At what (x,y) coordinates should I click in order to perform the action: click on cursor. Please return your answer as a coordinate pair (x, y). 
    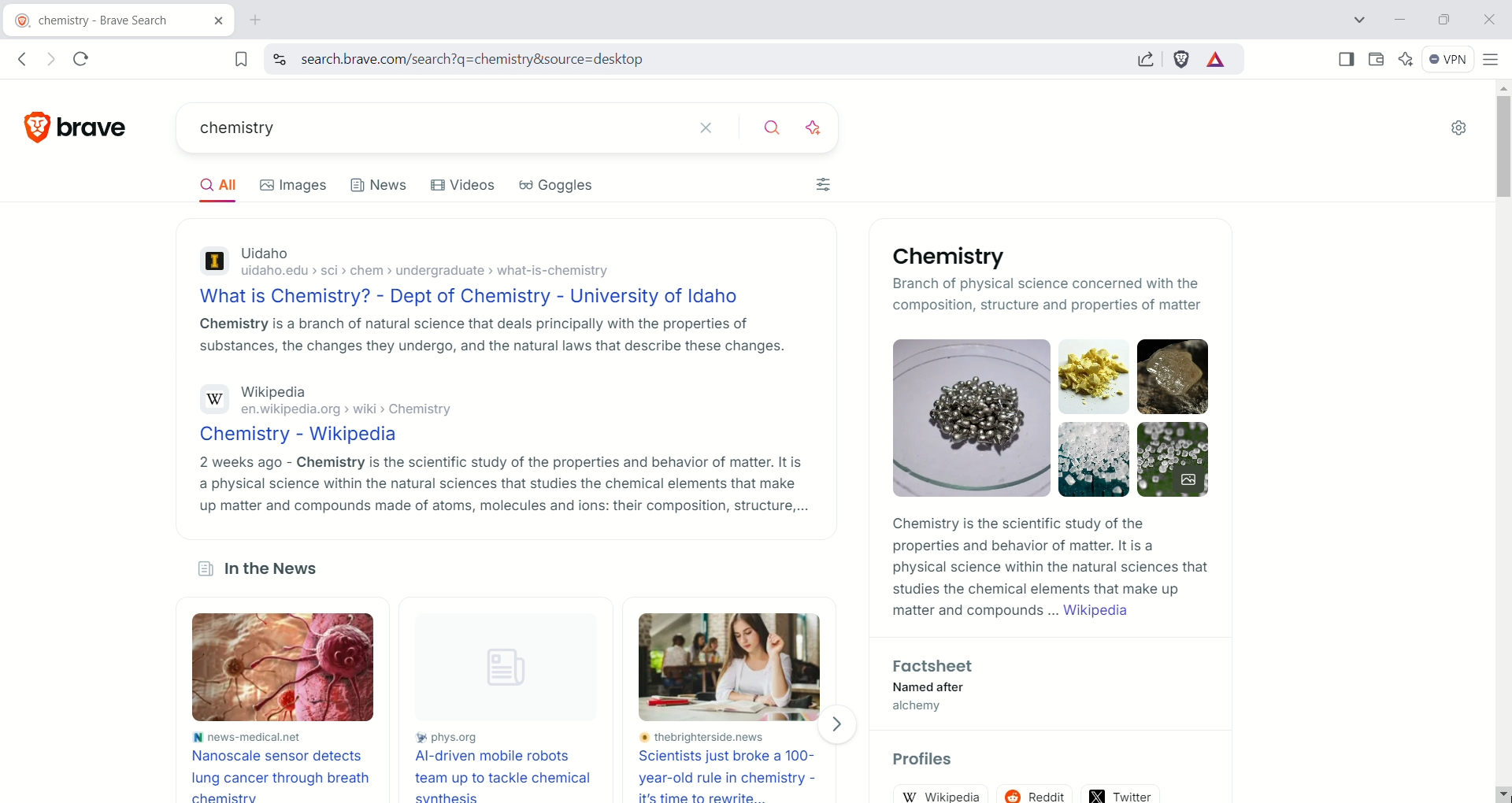
    Looking at the image, I should click on (1496, 792).